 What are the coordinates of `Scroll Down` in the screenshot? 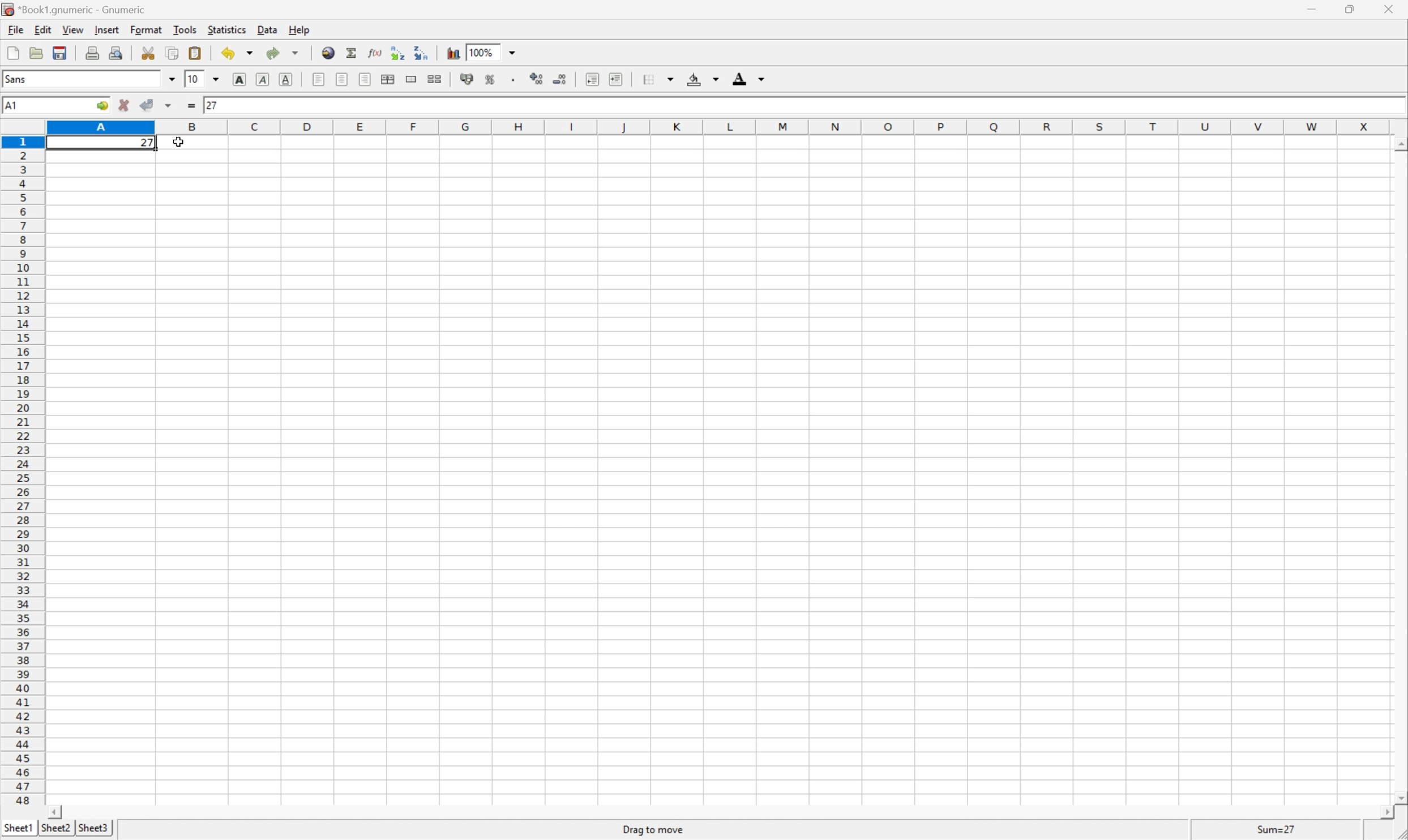 It's located at (1399, 796).